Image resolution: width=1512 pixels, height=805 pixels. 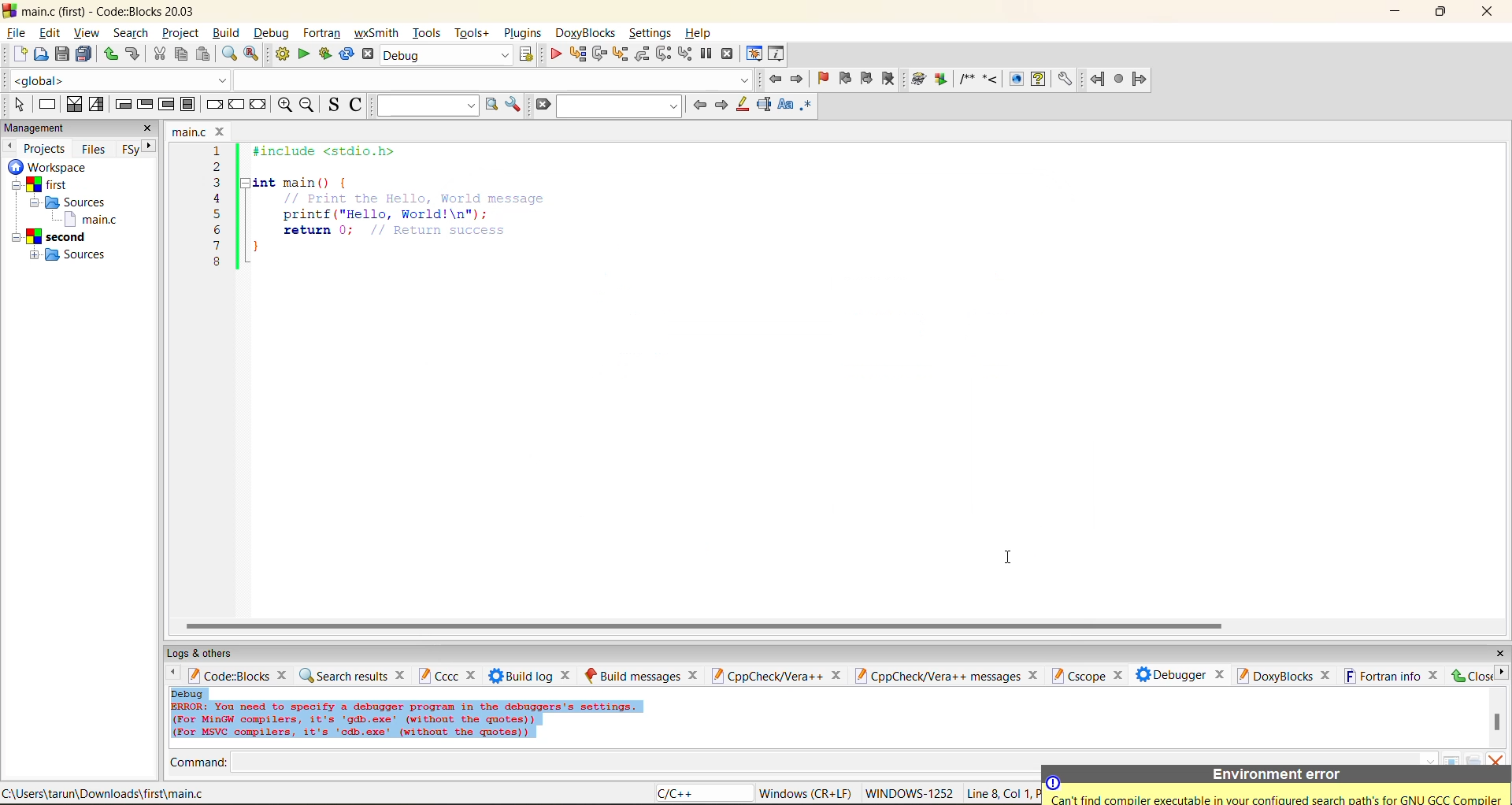 What do you see at coordinates (513, 105) in the screenshot?
I see `show options window` at bounding box center [513, 105].